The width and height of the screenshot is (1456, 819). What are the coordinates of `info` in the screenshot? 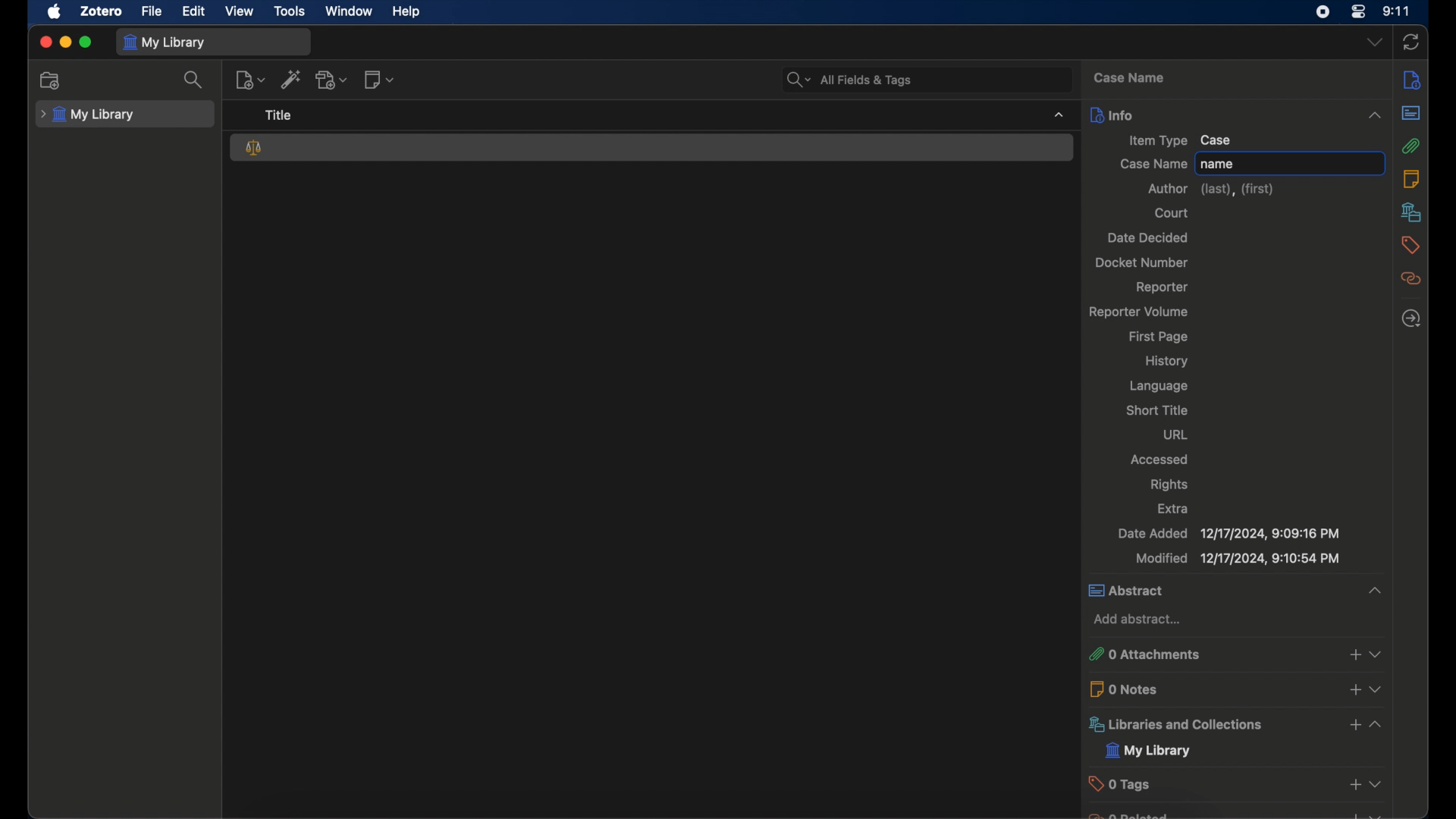 It's located at (1239, 113).